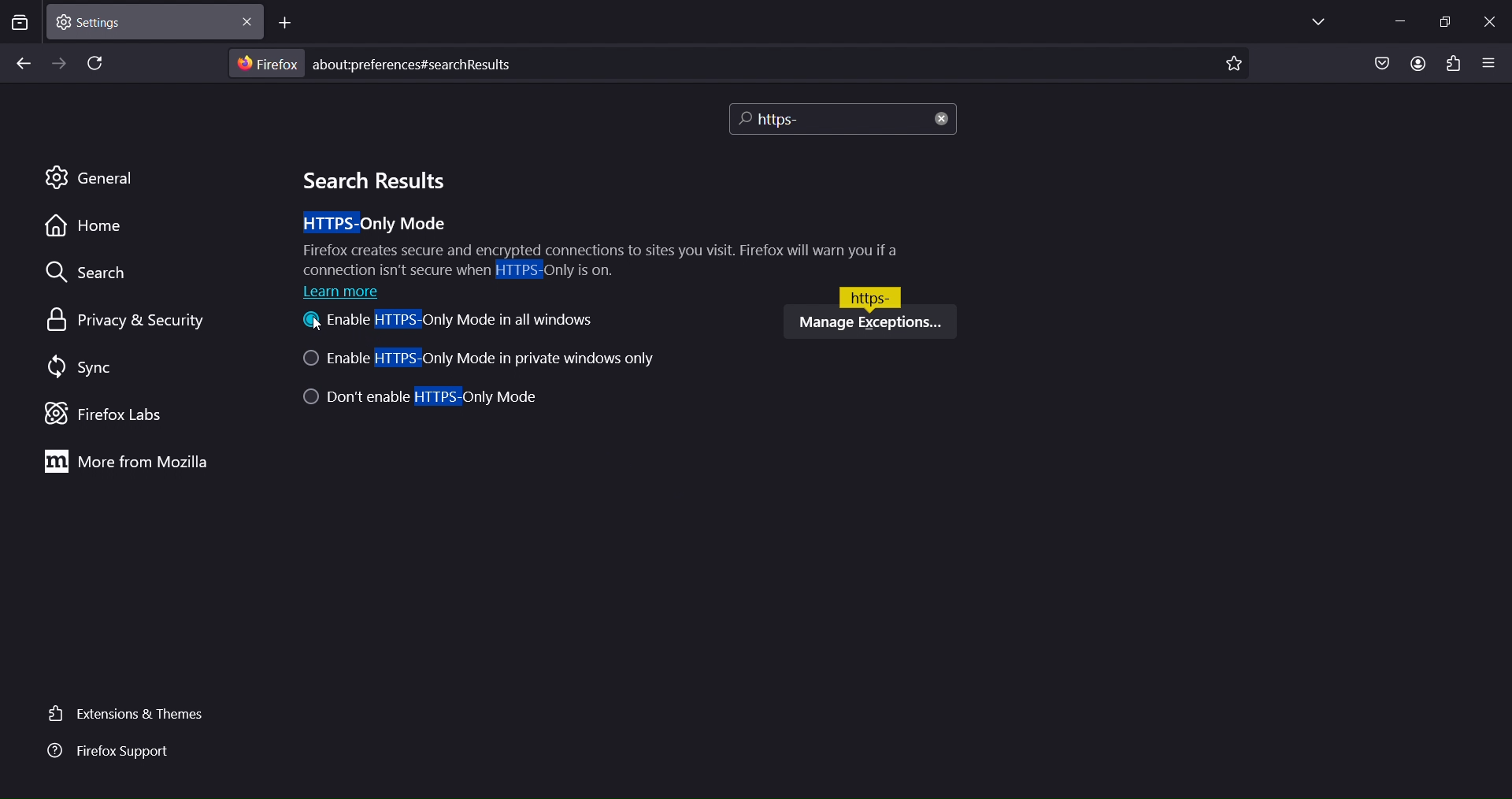 The width and height of the screenshot is (1512, 799). What do you see at coordinates (1325, 22) in the screenshot?
I see `list all tabs` at bounding box center [1325, 22].